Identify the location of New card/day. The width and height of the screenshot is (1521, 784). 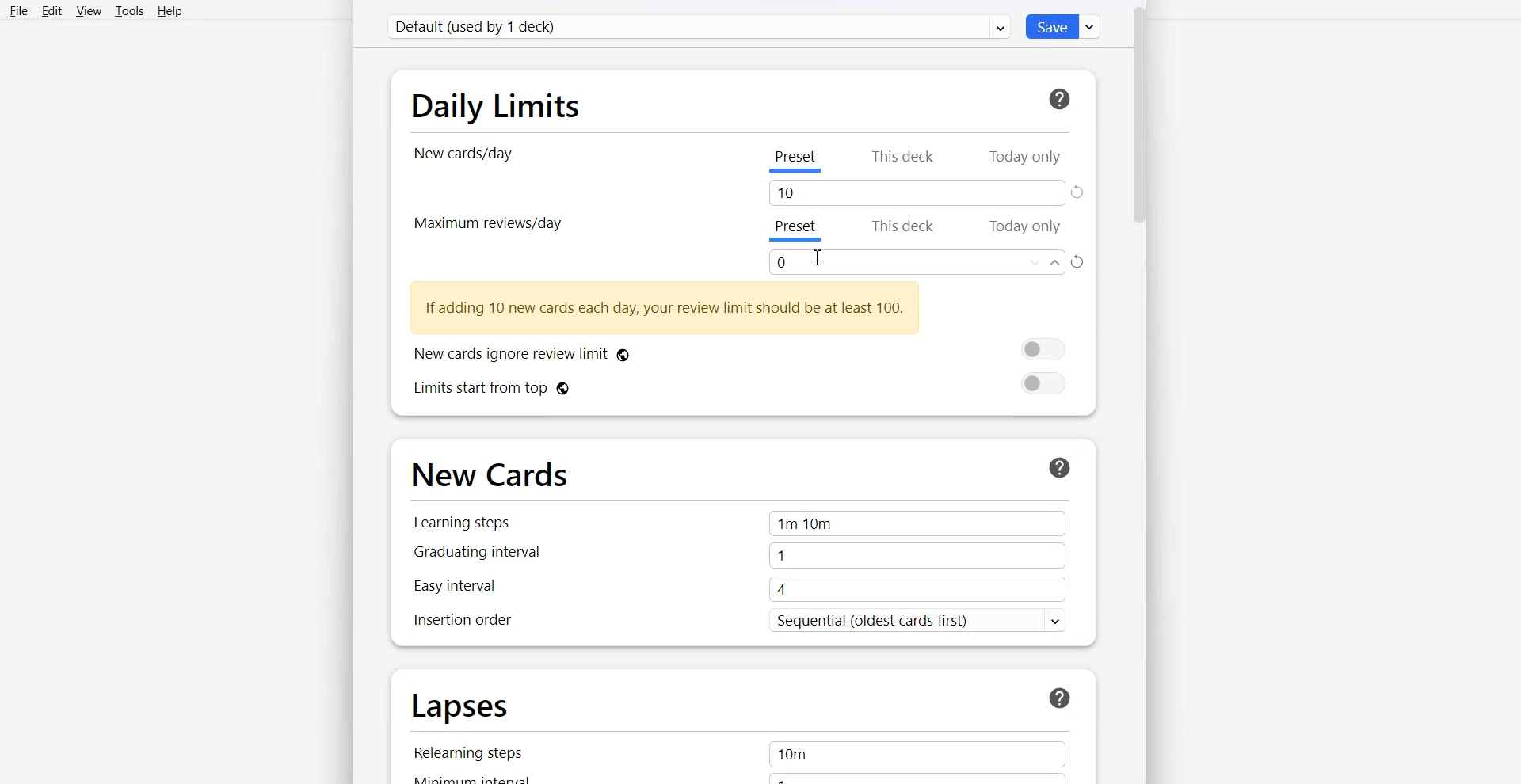
(467, 154).